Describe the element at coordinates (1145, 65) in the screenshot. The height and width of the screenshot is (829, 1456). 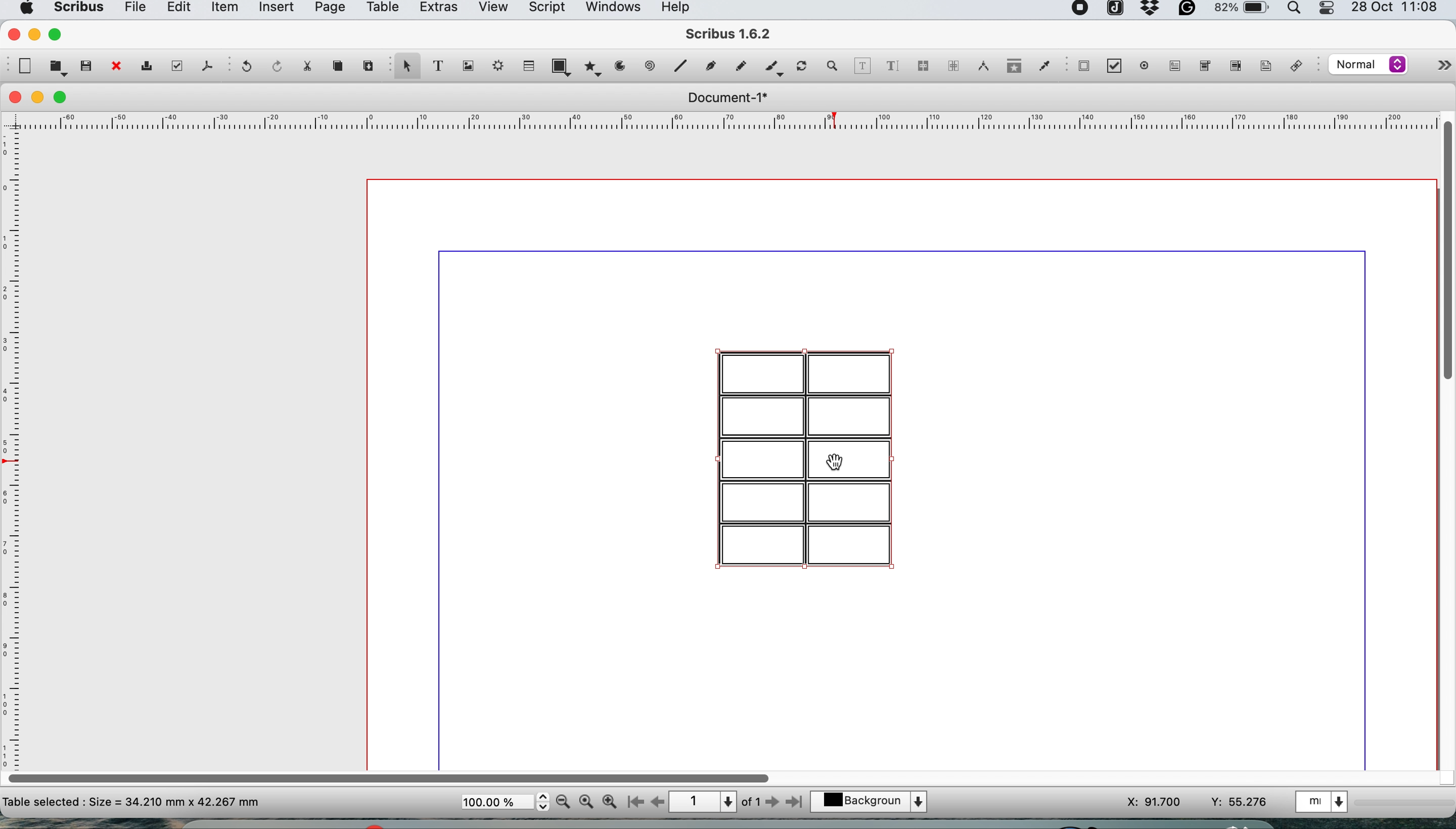
I see `pdf radio button` at that location.